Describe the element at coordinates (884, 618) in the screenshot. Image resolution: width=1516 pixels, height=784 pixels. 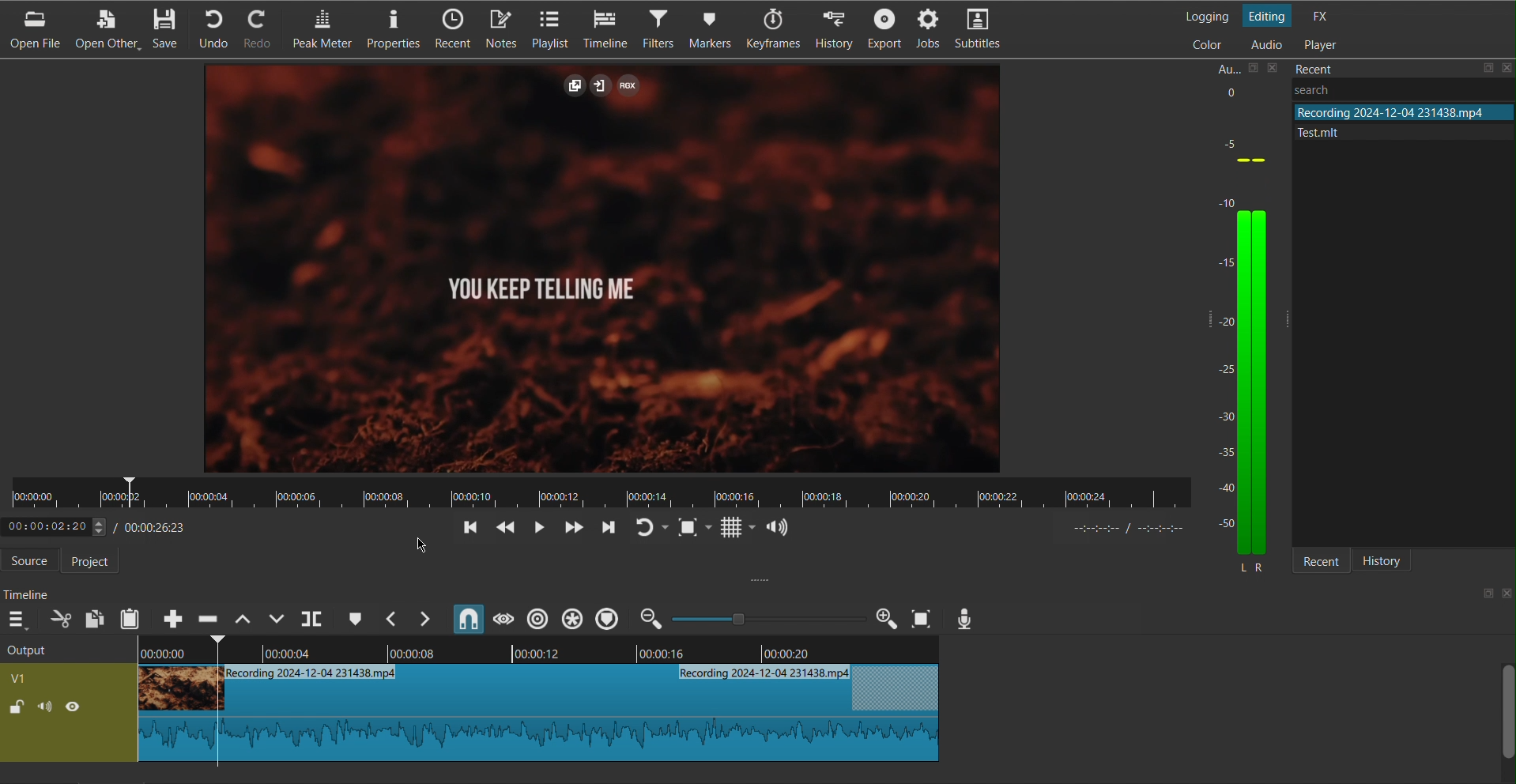
I see `Zoom` at that location.